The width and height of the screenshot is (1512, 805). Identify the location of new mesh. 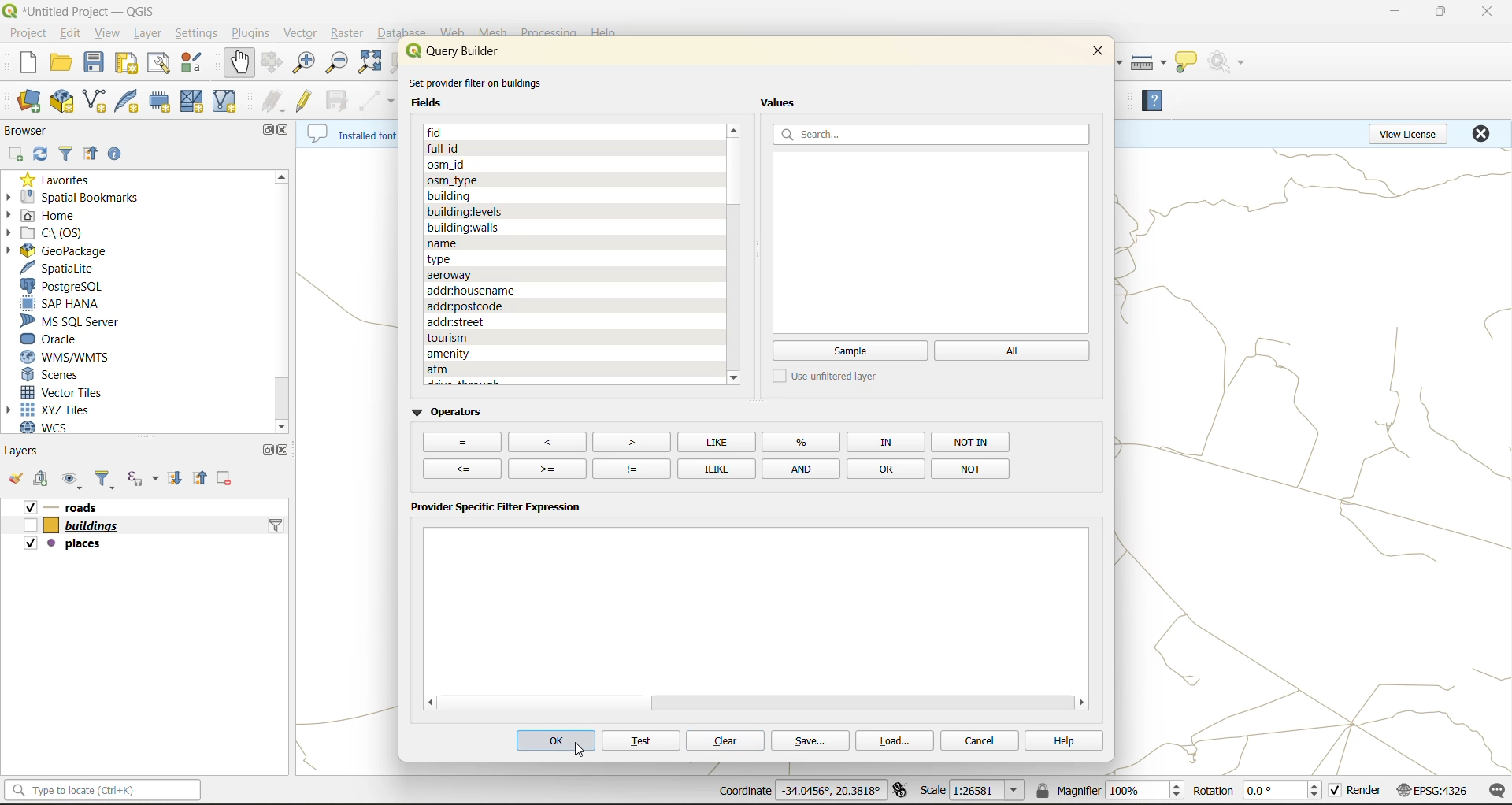
(191, 104).